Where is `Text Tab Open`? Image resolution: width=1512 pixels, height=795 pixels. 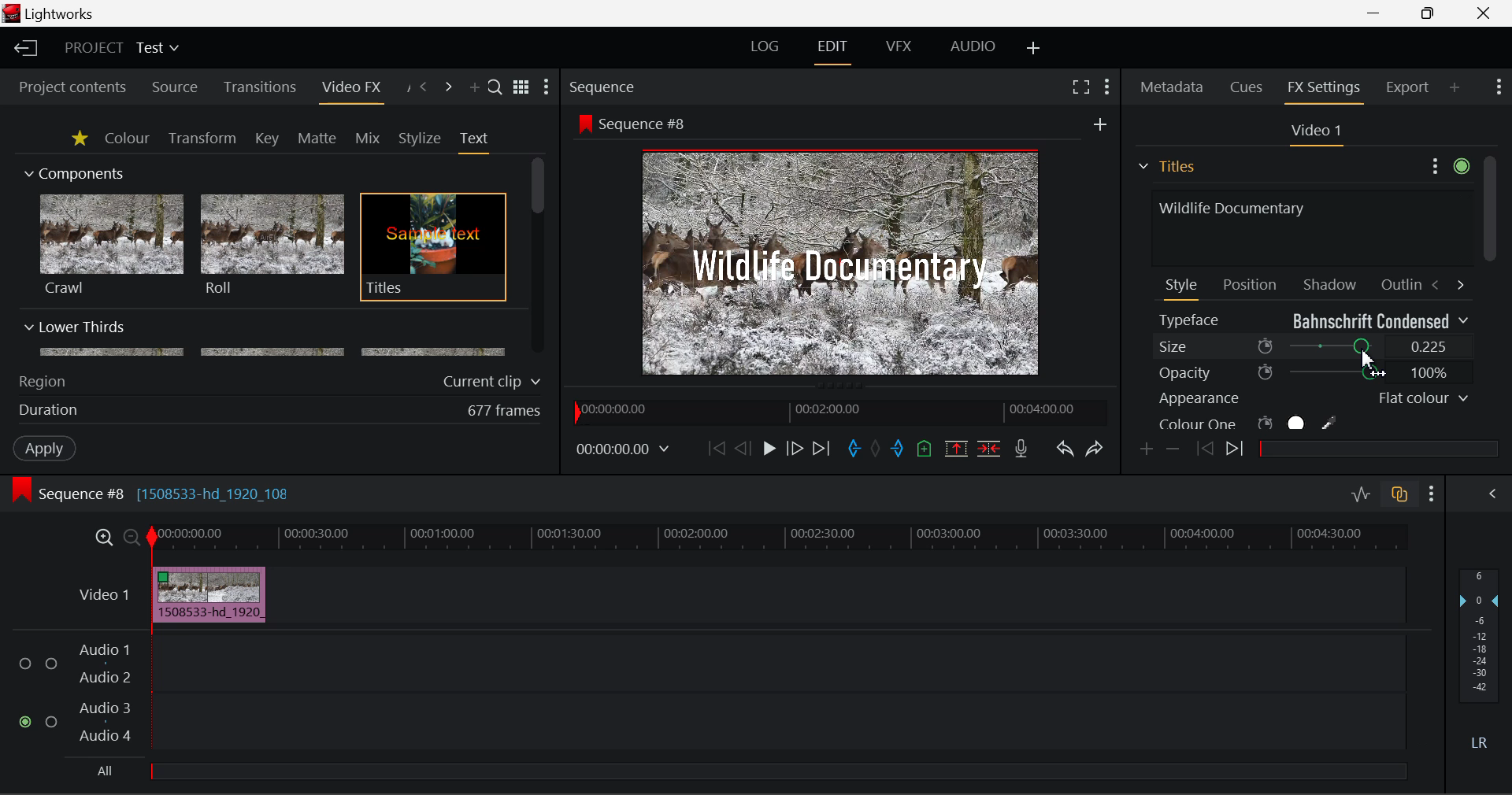 Text Tab Open is located at coordinates (478, 142).